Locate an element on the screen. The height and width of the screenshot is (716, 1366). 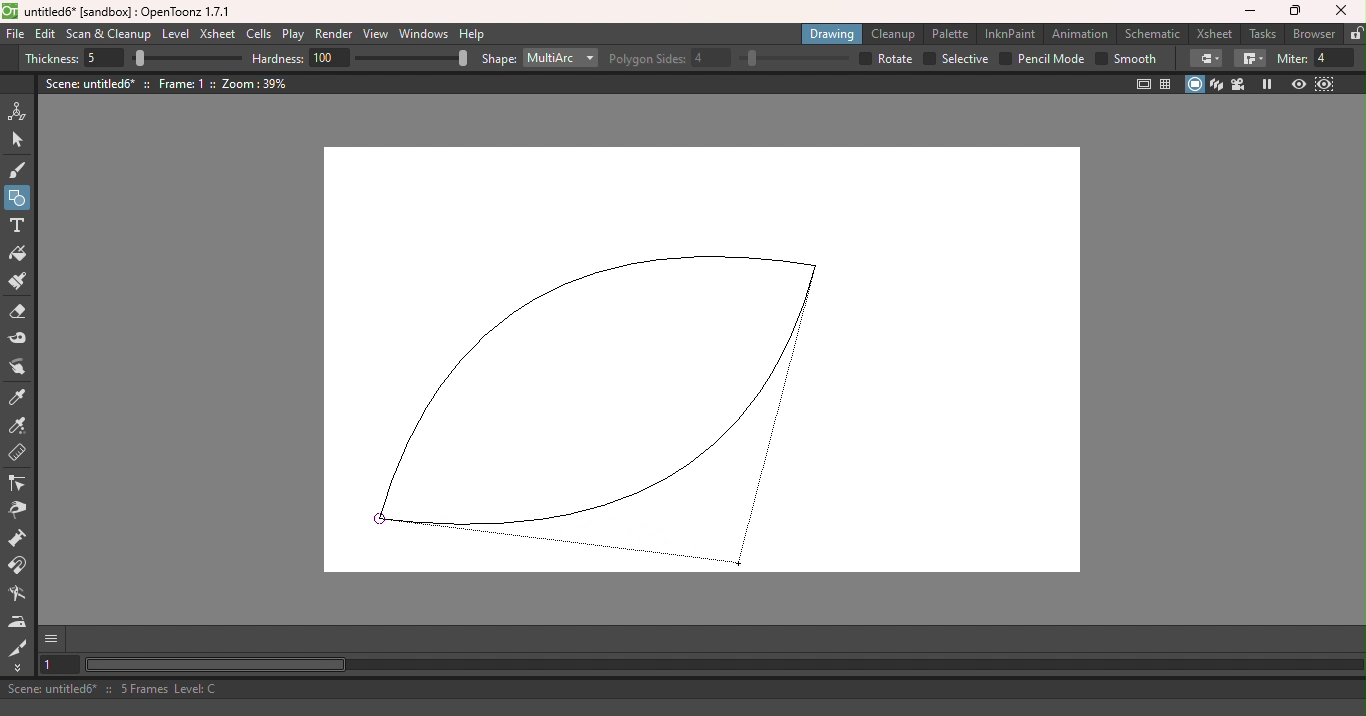
More tools is located at coordinates (18, 667).